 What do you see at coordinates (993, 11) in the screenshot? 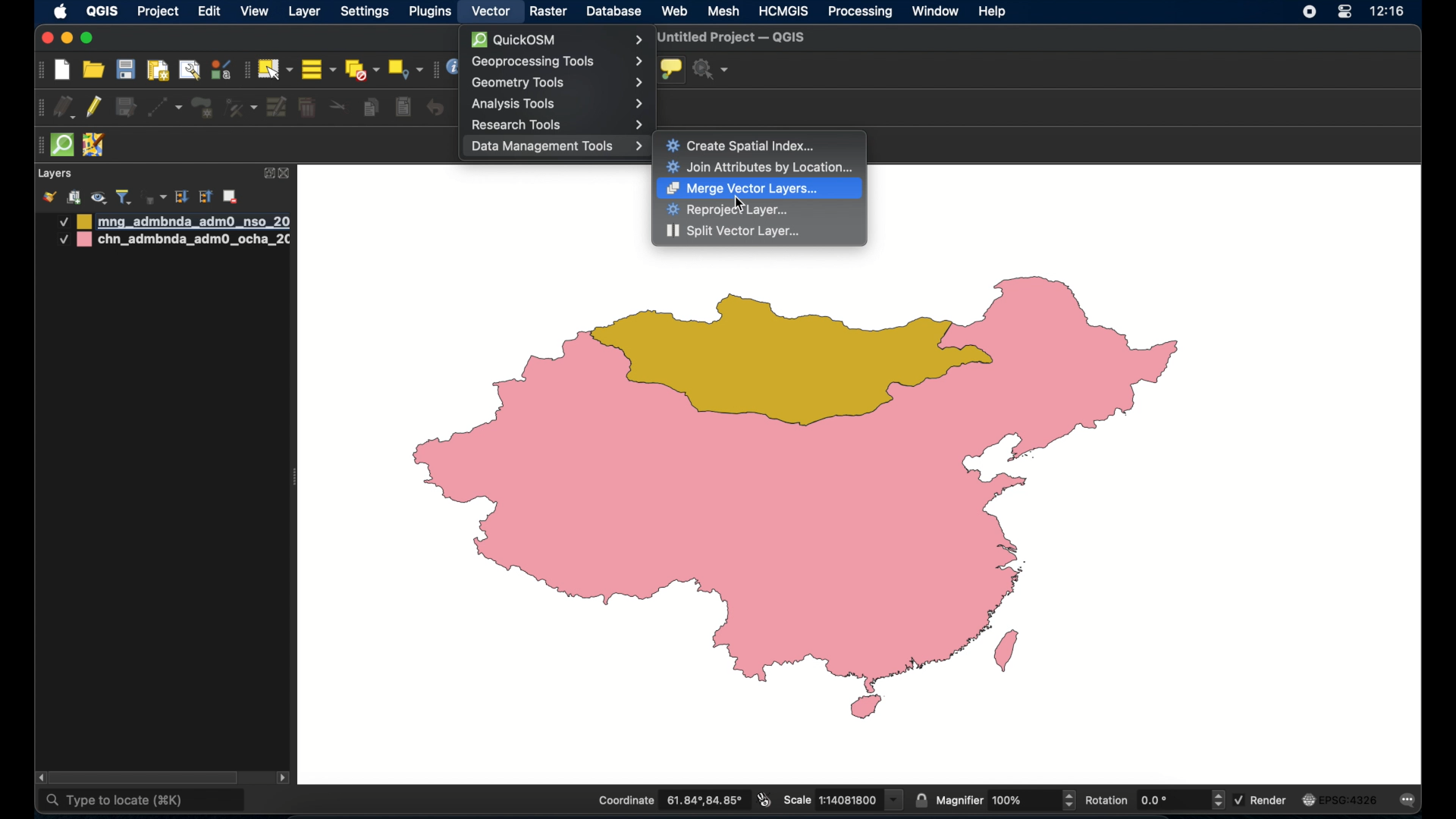
I see `help` at bounding box center [993, 11].